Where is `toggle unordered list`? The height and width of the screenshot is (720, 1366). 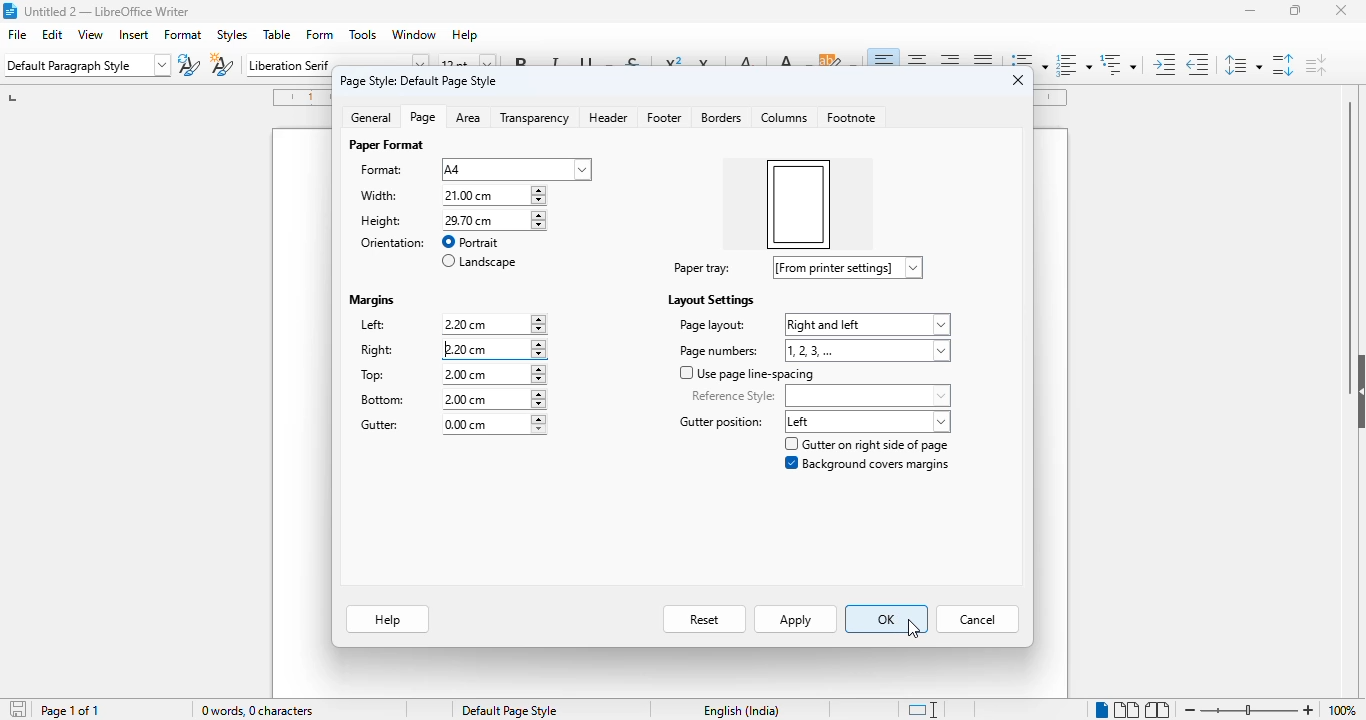 toggle unordered list is located at coordinates (1031, 59).